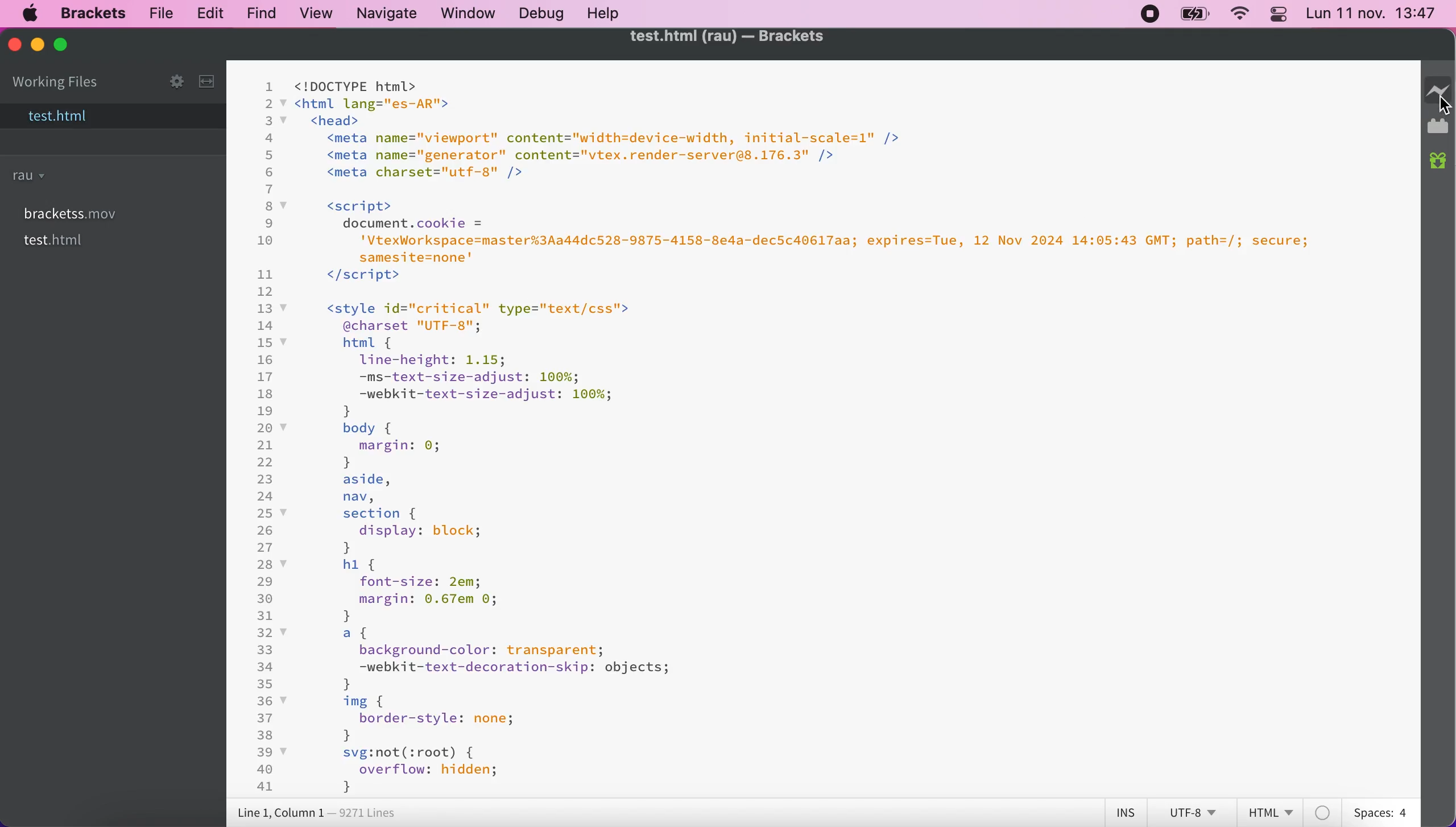 This screenshot has height=827, width=1456. I want to click on edit, so click(208, 13).